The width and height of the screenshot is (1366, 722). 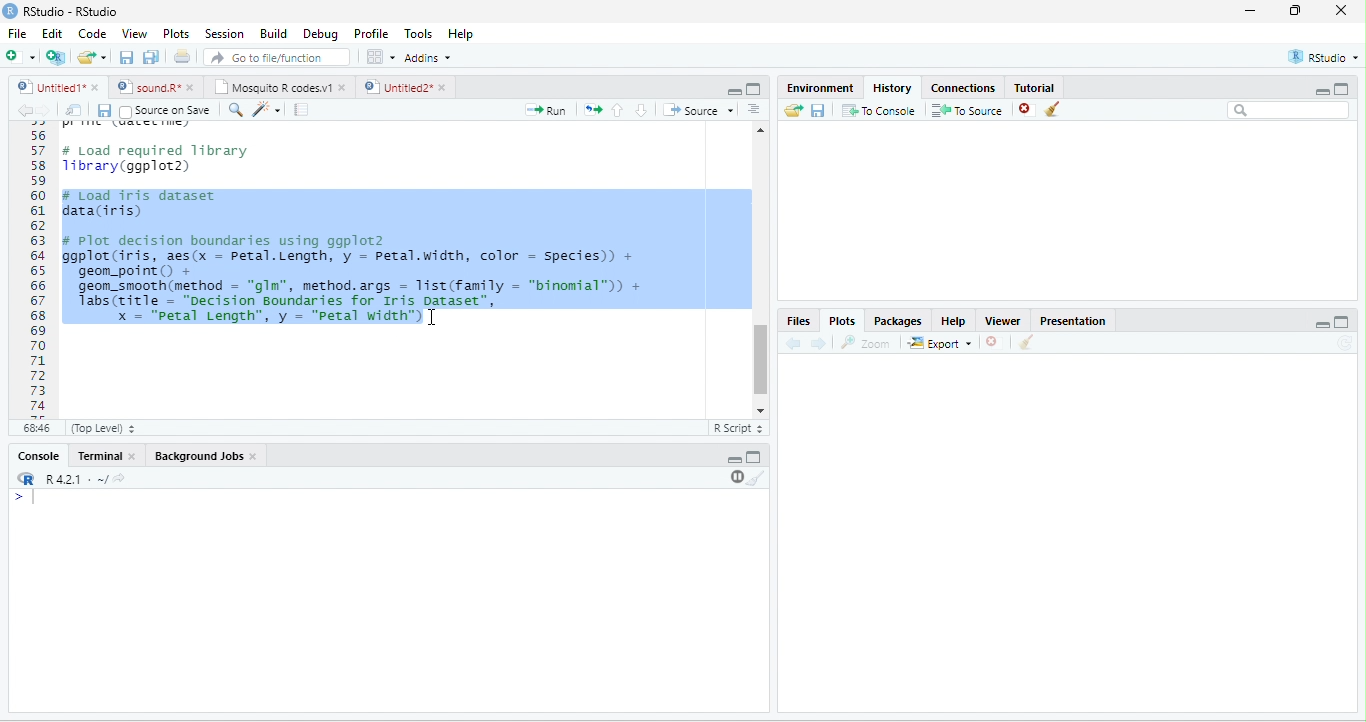 What do you see at coordinates (1027, 110) in the screenshot?
I see `close file` at bounding box center [1027, 110].